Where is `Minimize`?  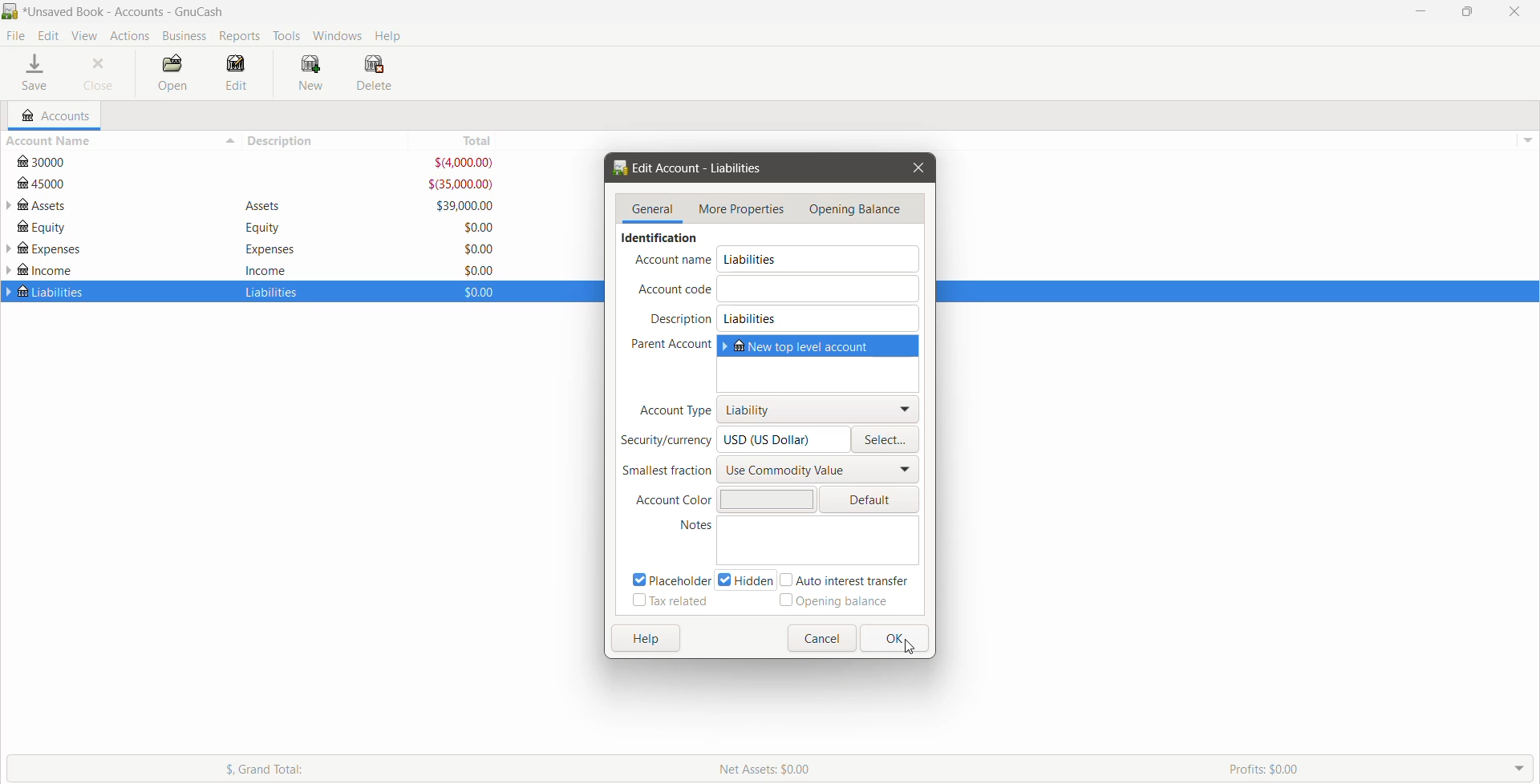 Minimize is located at coordinates (1421, 10).